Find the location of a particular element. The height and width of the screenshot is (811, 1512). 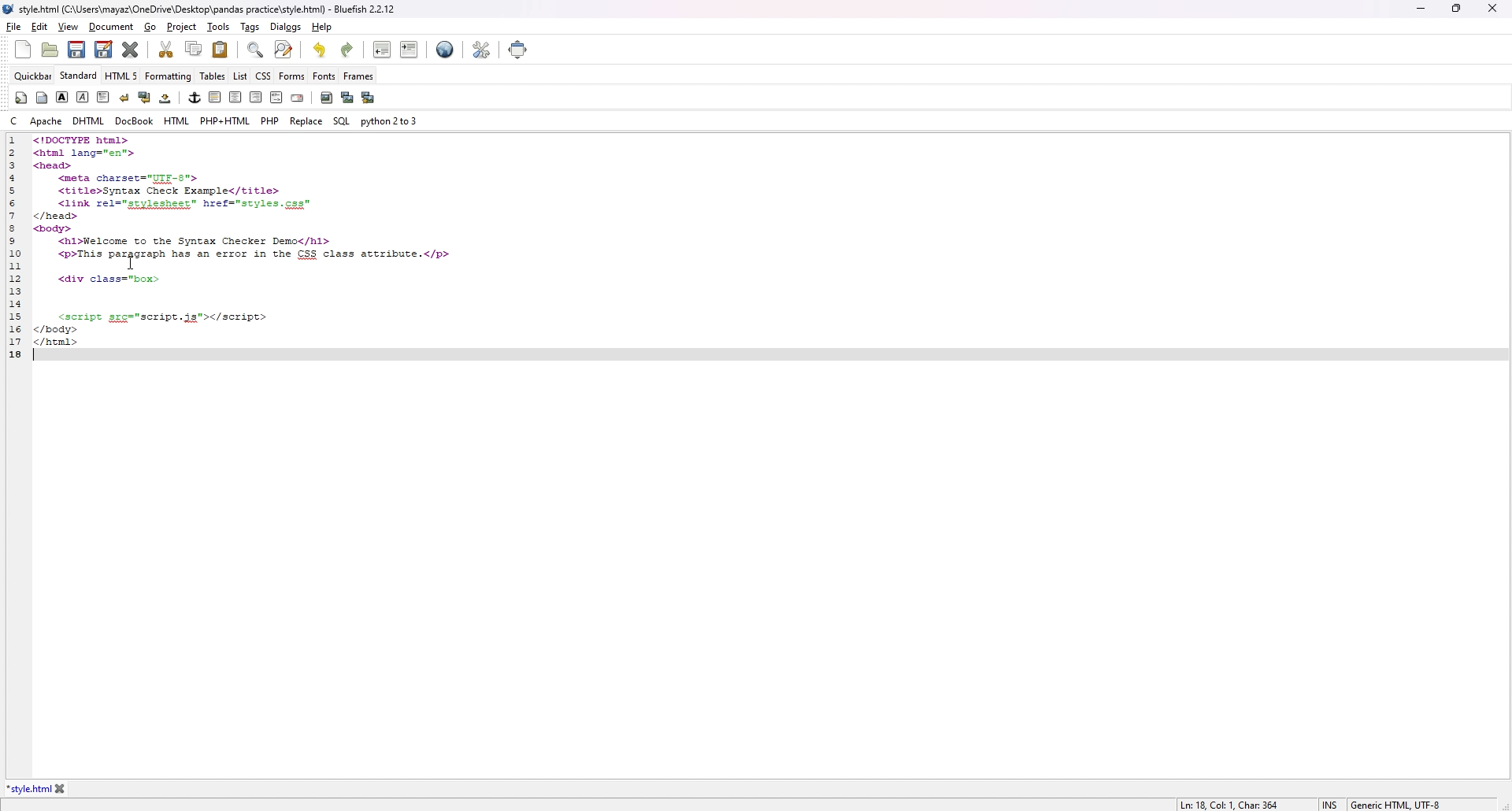

quickbar is located at coordinates (33, 76).